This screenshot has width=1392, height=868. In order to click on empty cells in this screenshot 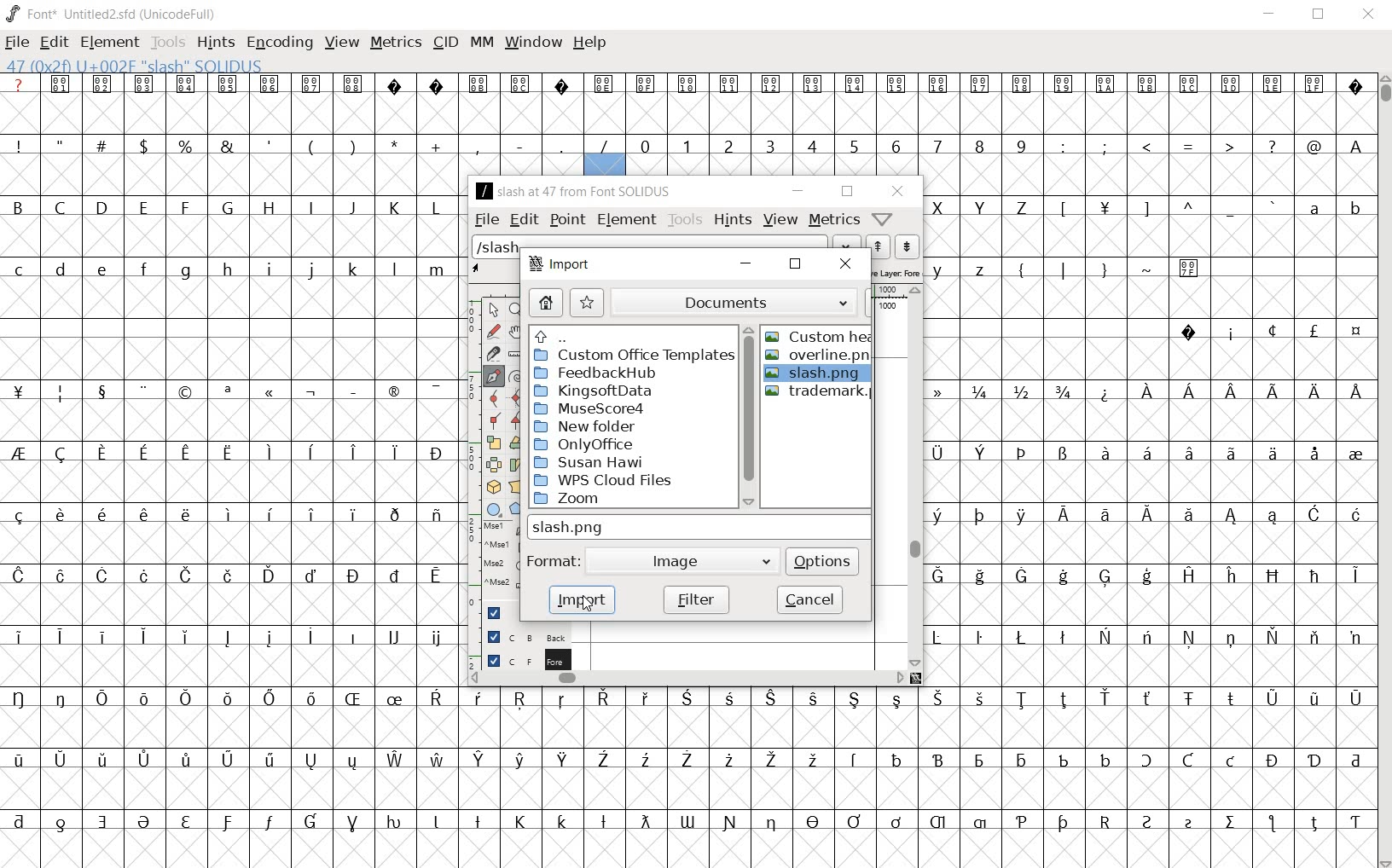, I will do `click(1151, 361)`.